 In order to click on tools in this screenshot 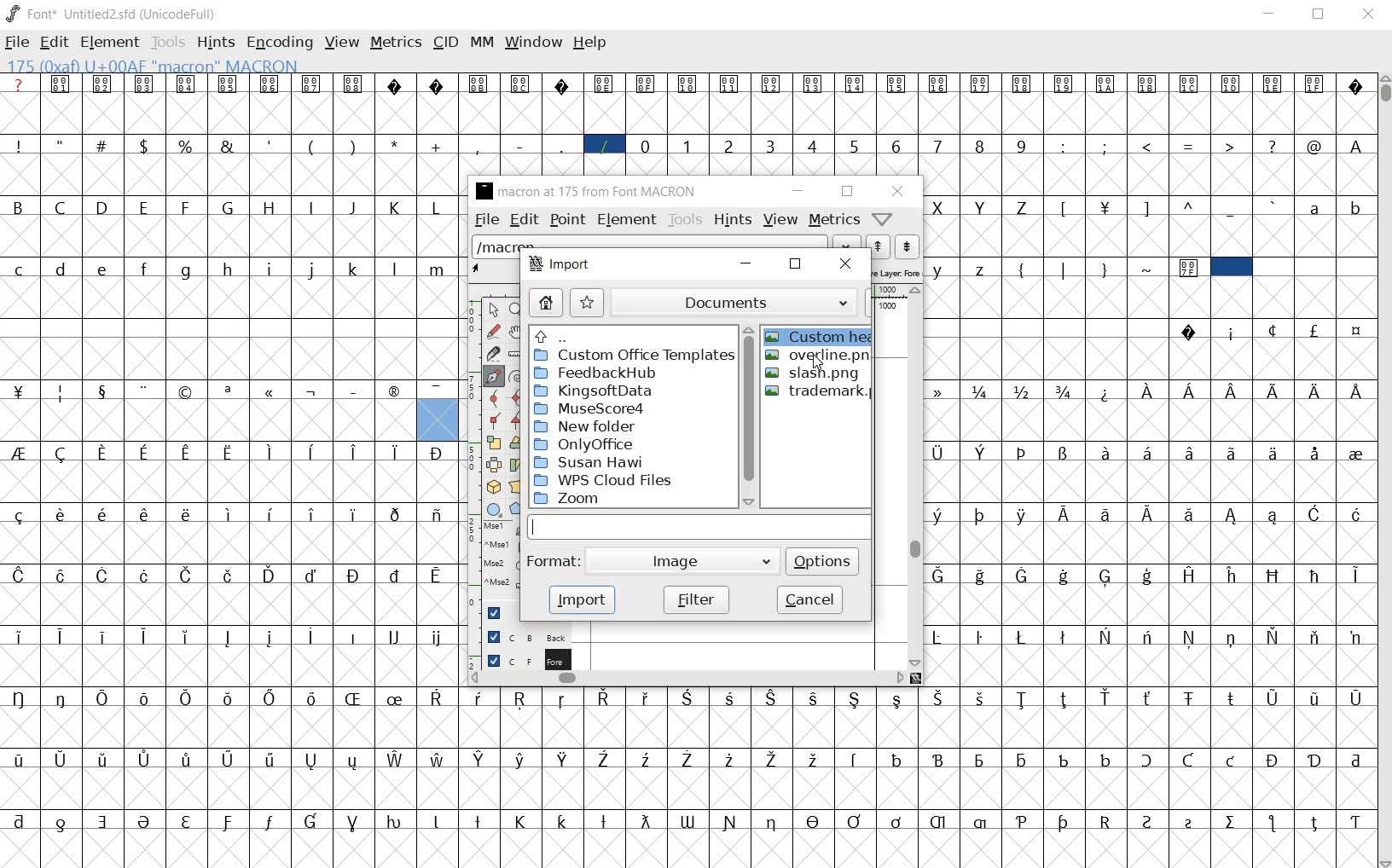, I will do `click(685, 217)`.